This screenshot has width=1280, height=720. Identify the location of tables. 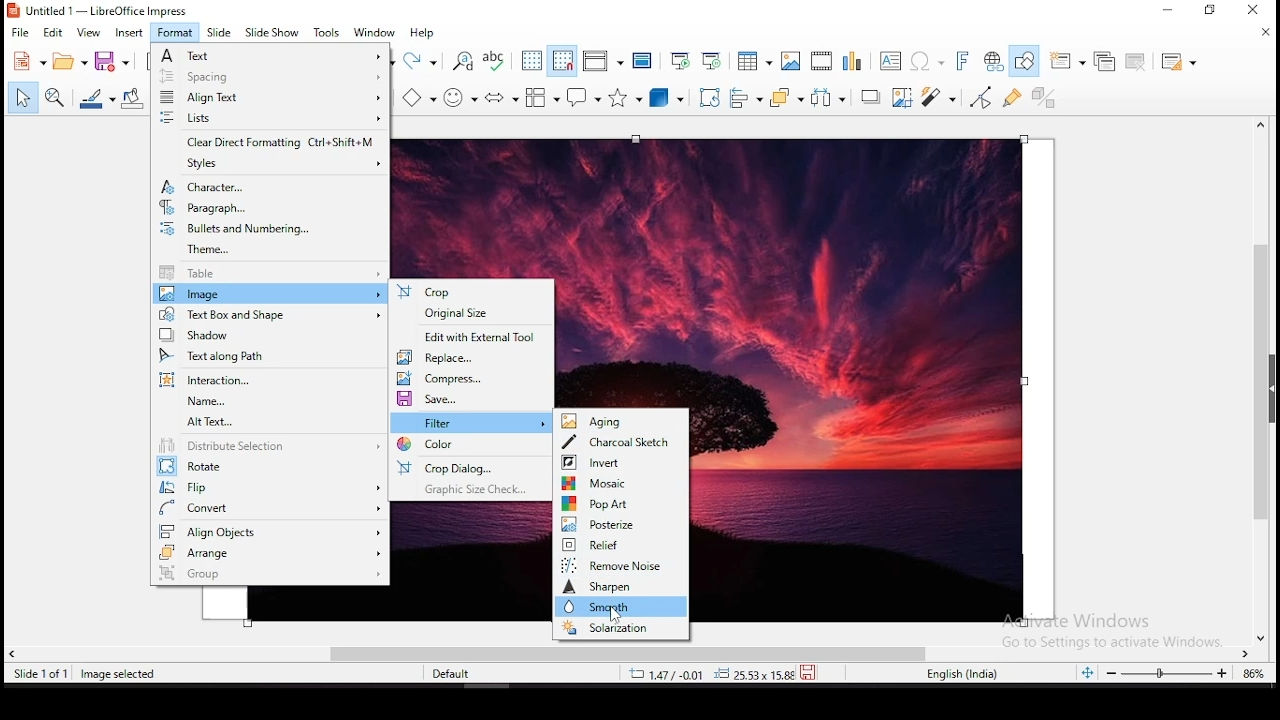
(752, 61).